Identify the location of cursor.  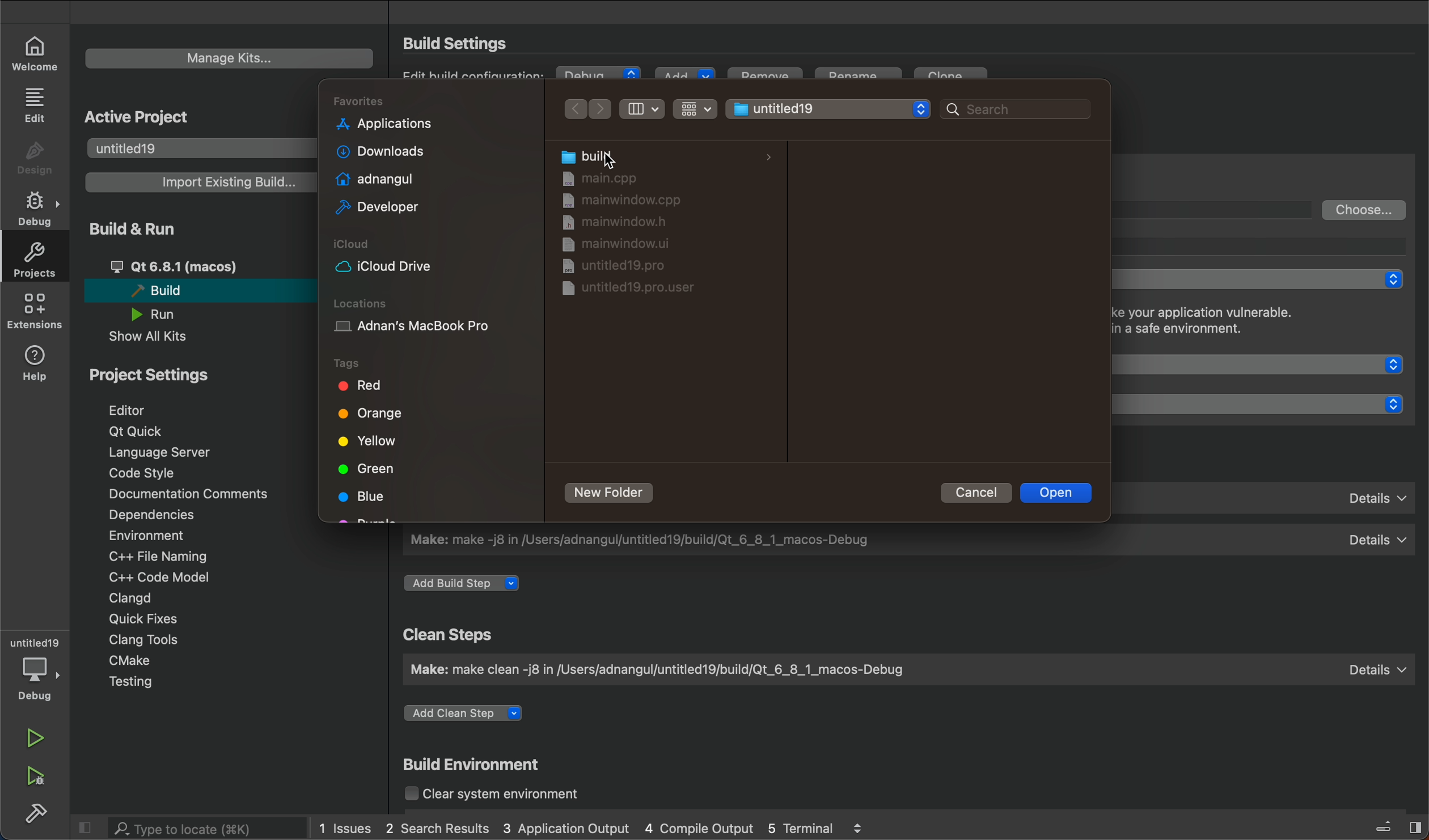
(611, 155).